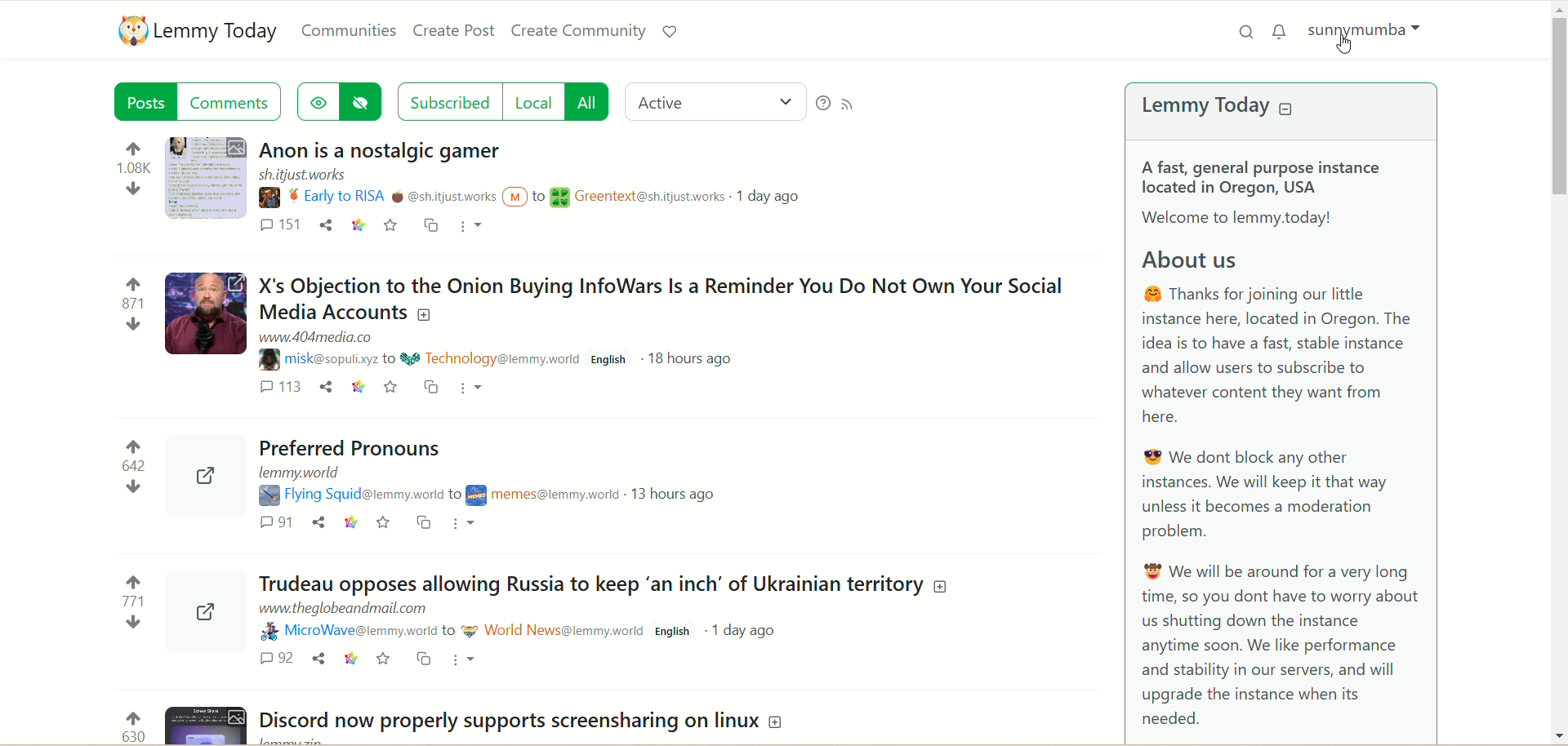 This screenshot has width=1568, height=746. What do you see at coordinates (612, 357) in the screenshot?
I see `English` at bounding box center [612, 357].